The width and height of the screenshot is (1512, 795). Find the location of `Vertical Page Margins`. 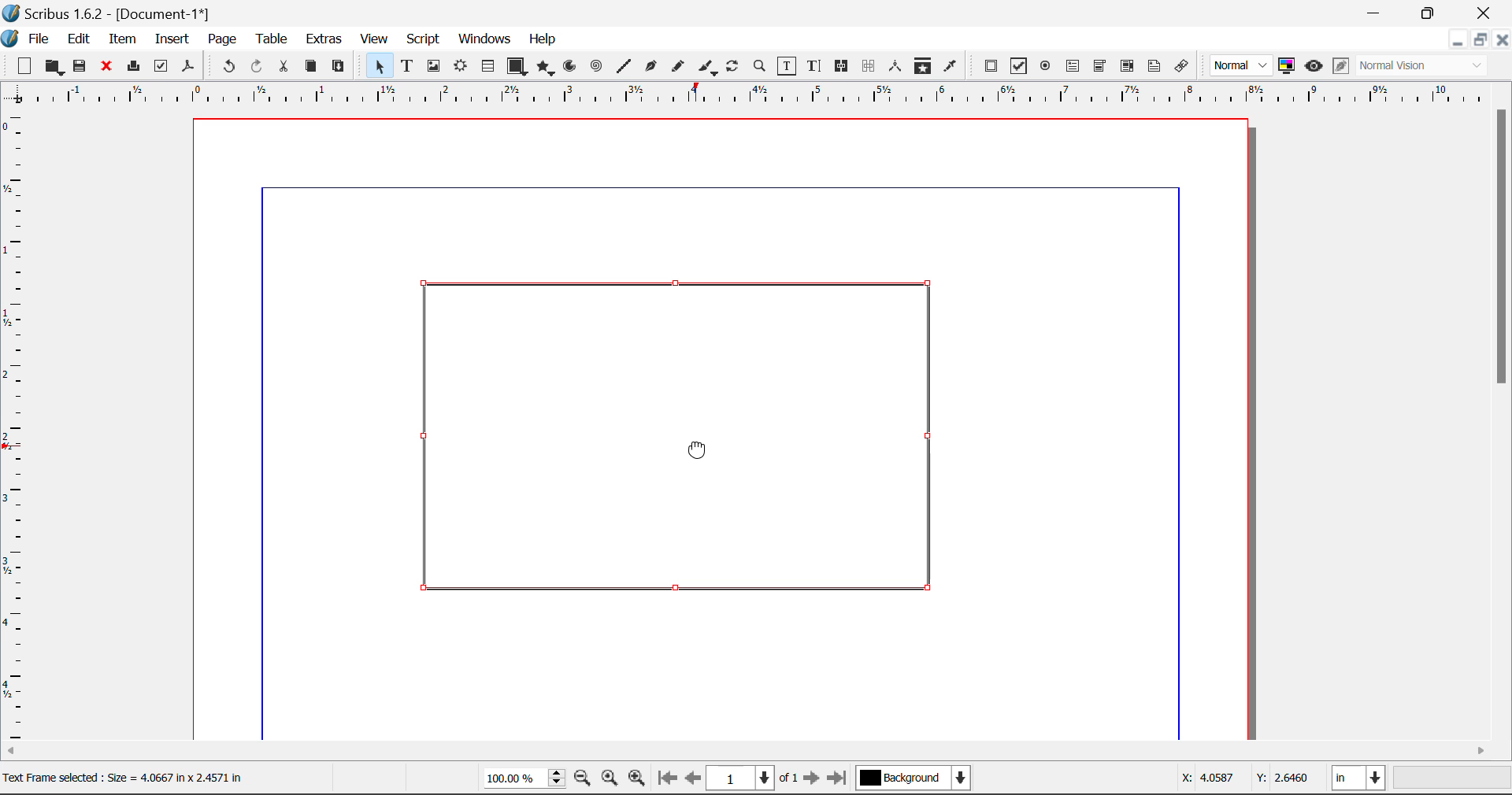

Vertical Page Margins is located at coordinates (764, 94).